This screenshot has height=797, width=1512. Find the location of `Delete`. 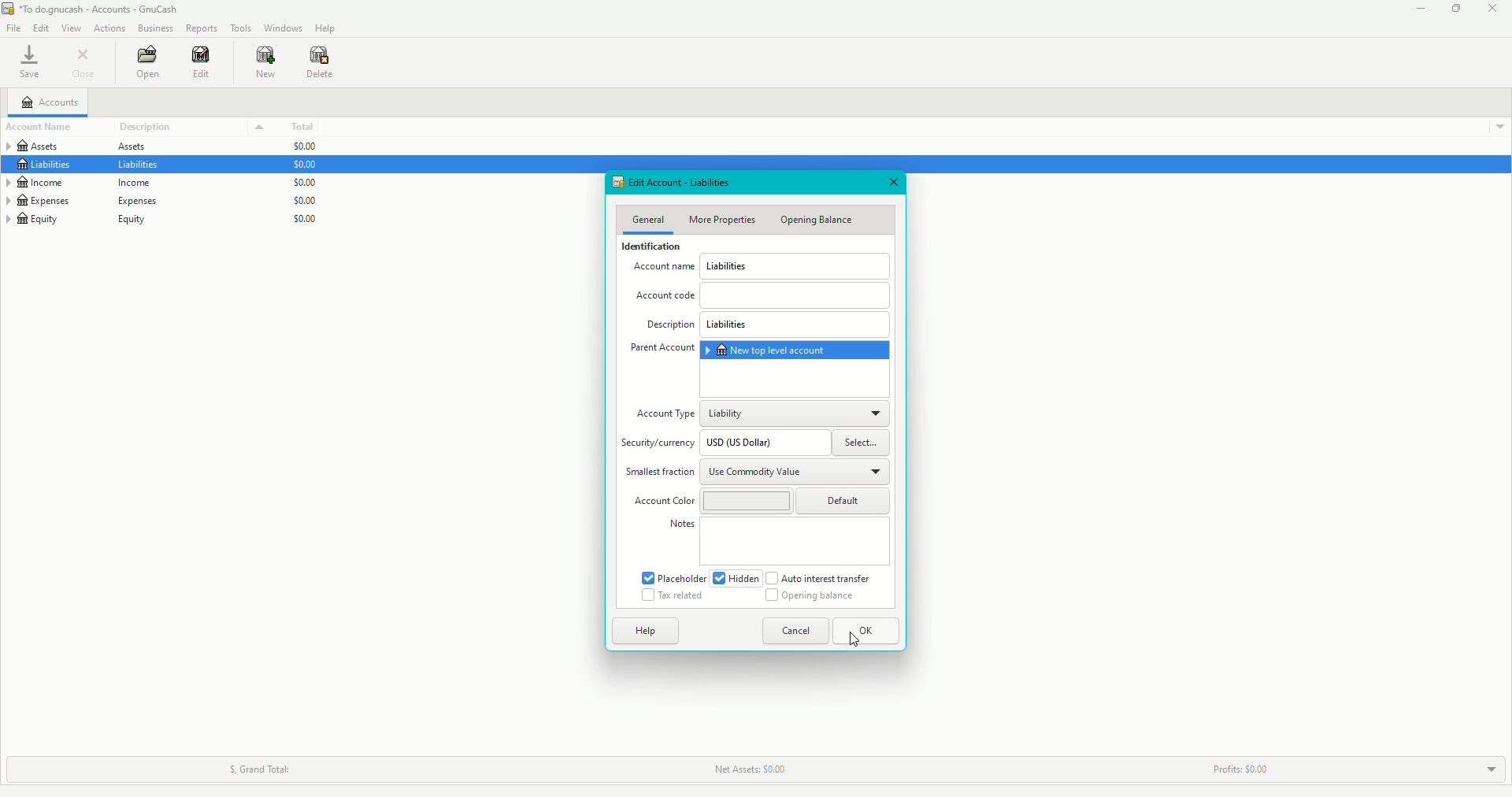

Delete is located at coordinates (323, 61).